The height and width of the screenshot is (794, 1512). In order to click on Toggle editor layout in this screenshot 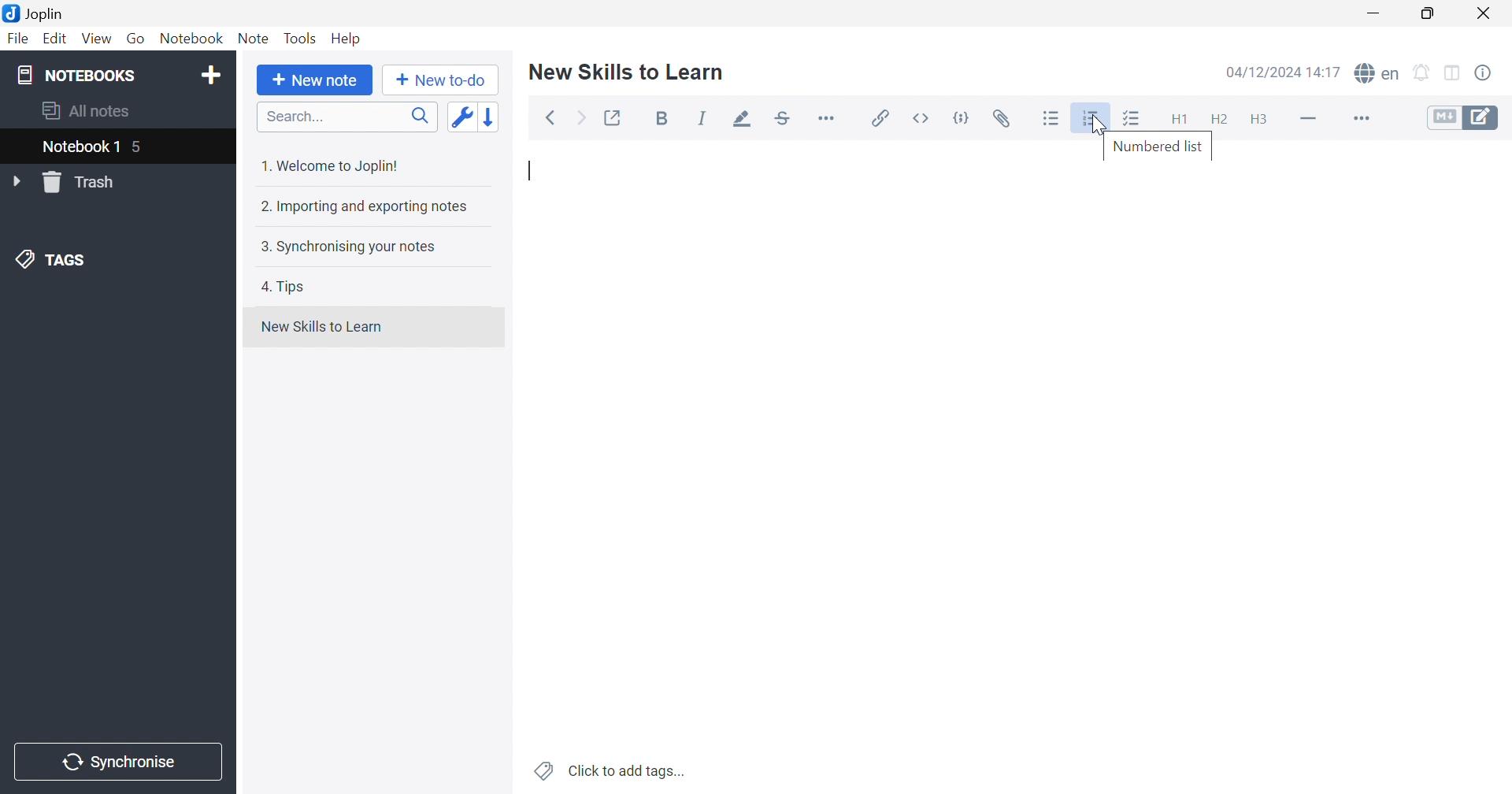, I will do `click(1455, 74)`.